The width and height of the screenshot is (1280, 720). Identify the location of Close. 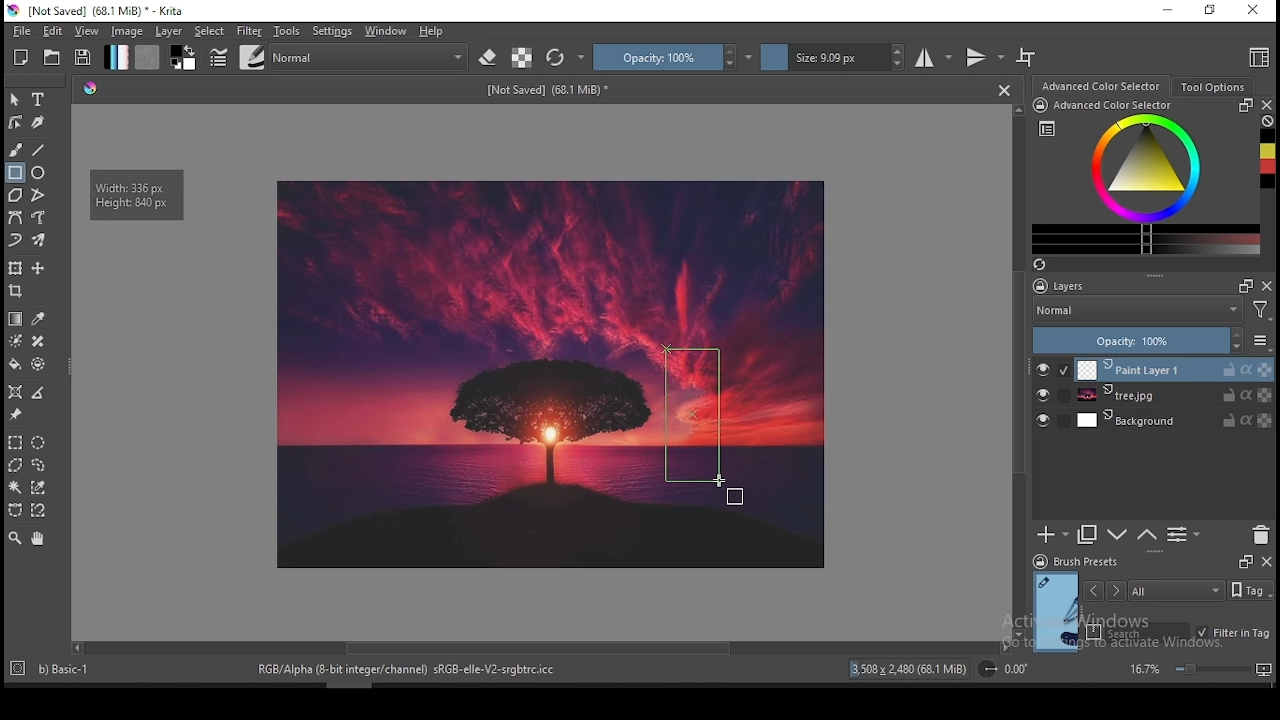
(1004, 90).